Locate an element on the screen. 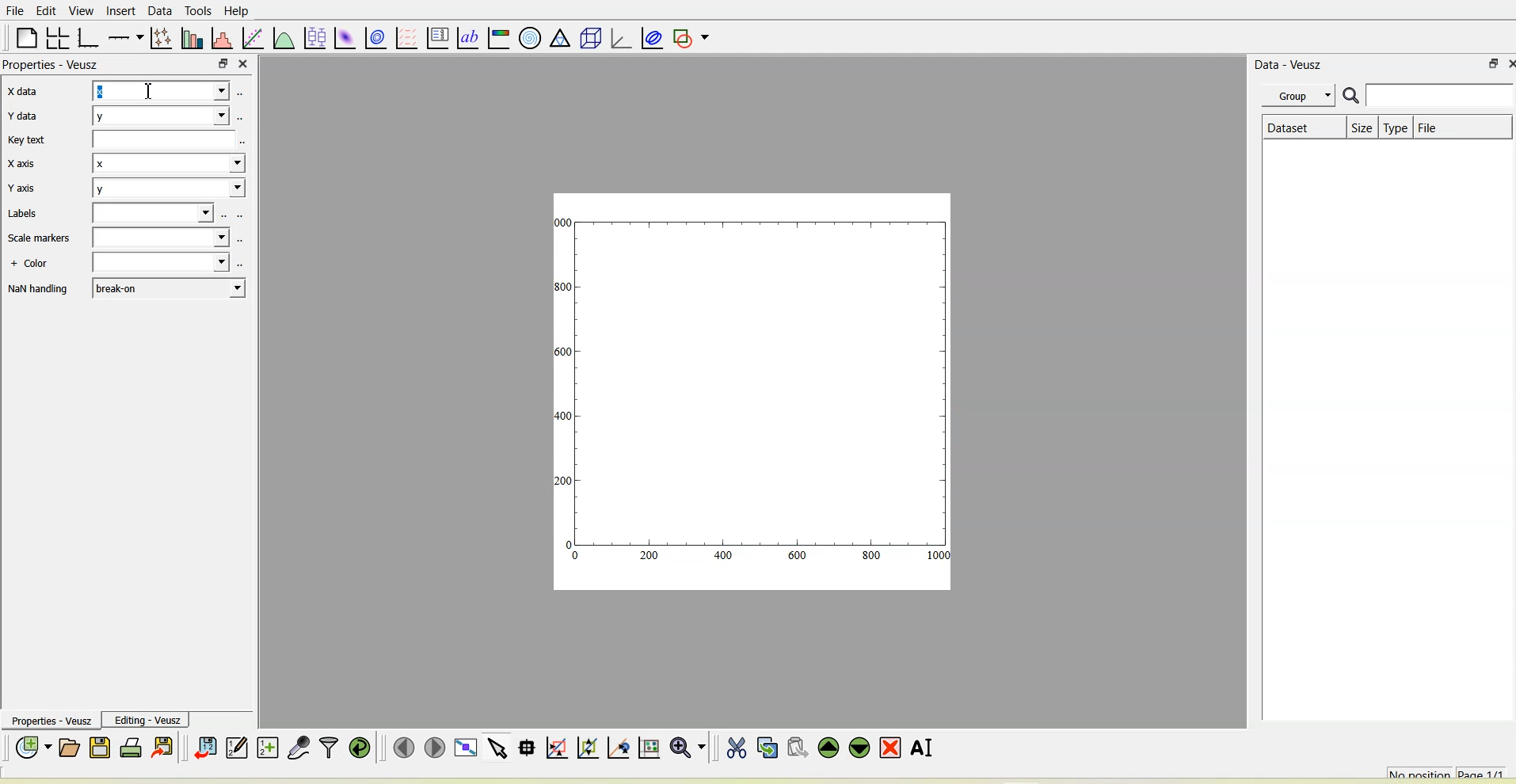  Y data is located at coordinates (27, 118).